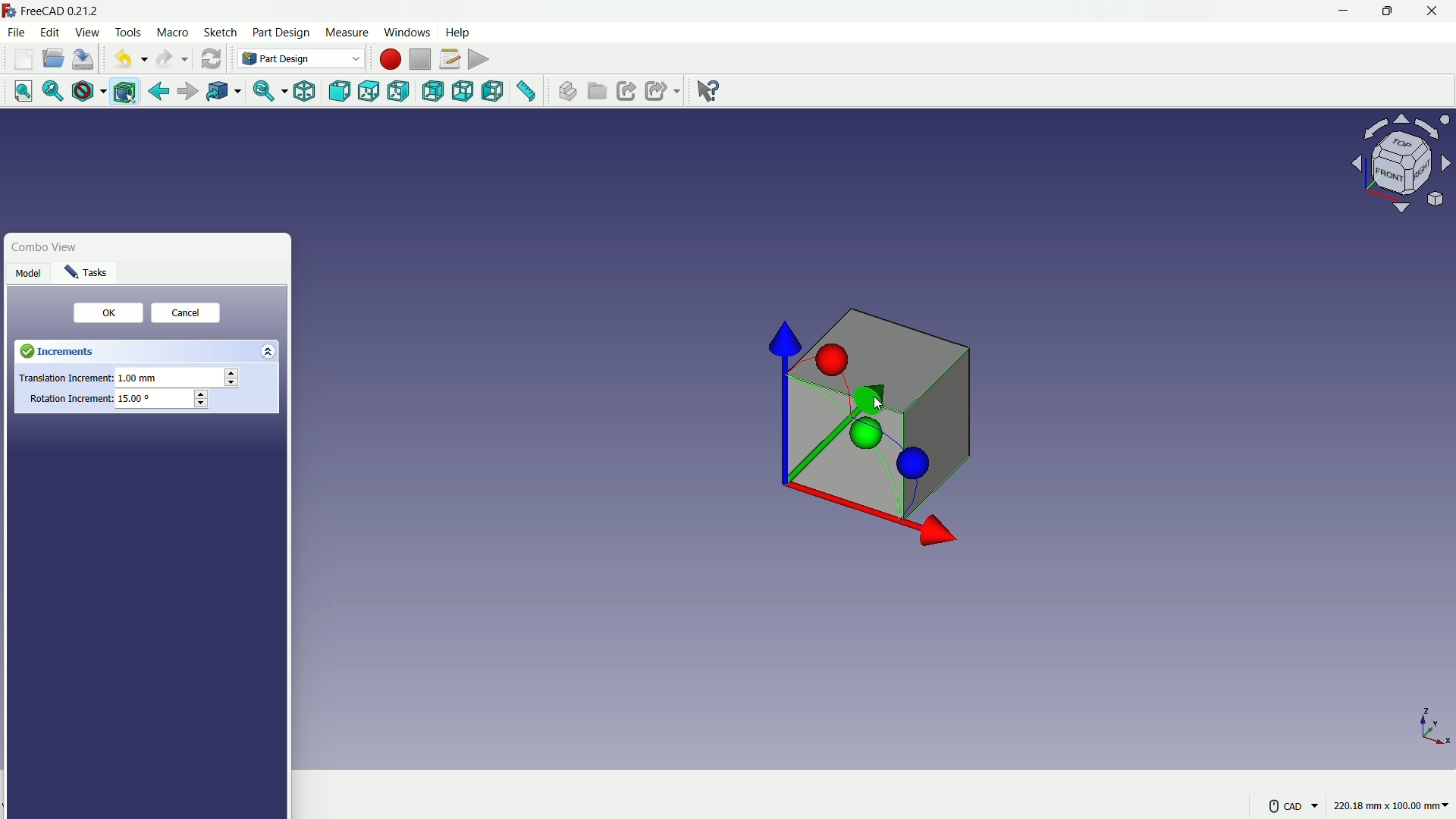 Image resolution: width=1456 pixels, height=819 pixels. Describe the element at coordinates (263, 93) in the screenshot. I see `sync view` at that location.